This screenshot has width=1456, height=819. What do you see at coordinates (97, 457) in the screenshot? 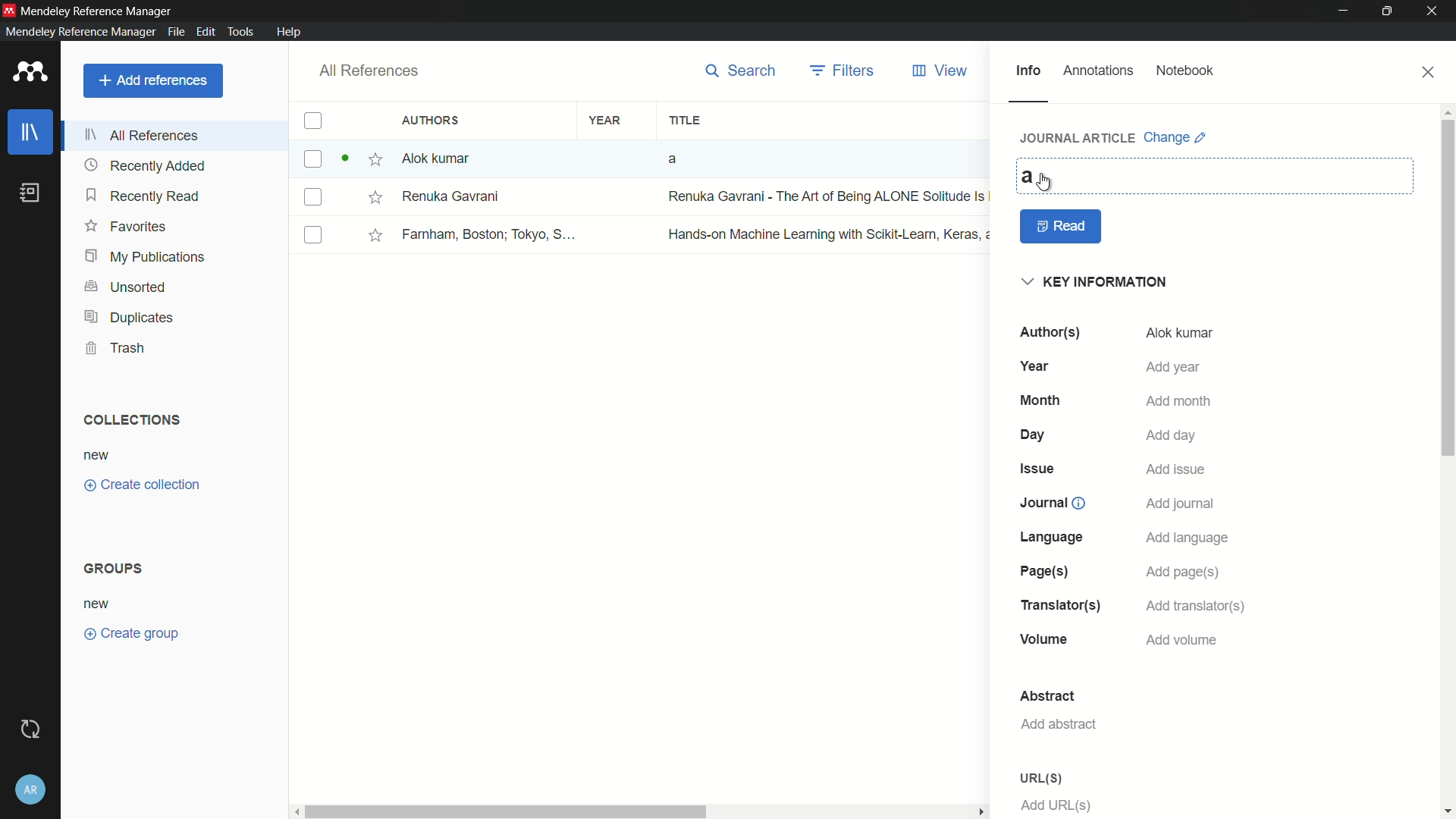
I see `new` at bounding box center [97, 457].